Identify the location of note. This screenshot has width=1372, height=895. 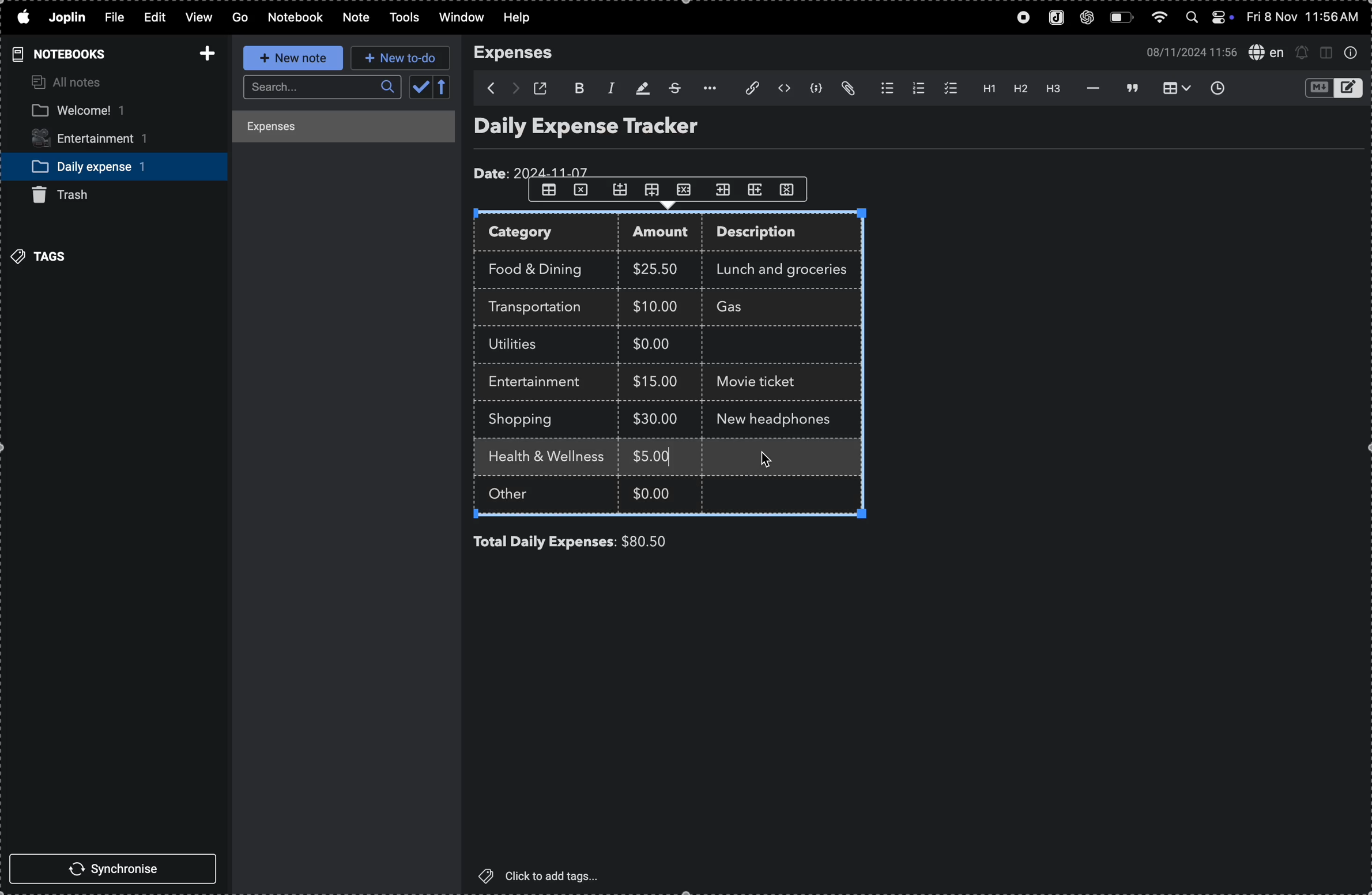
(353, 18).